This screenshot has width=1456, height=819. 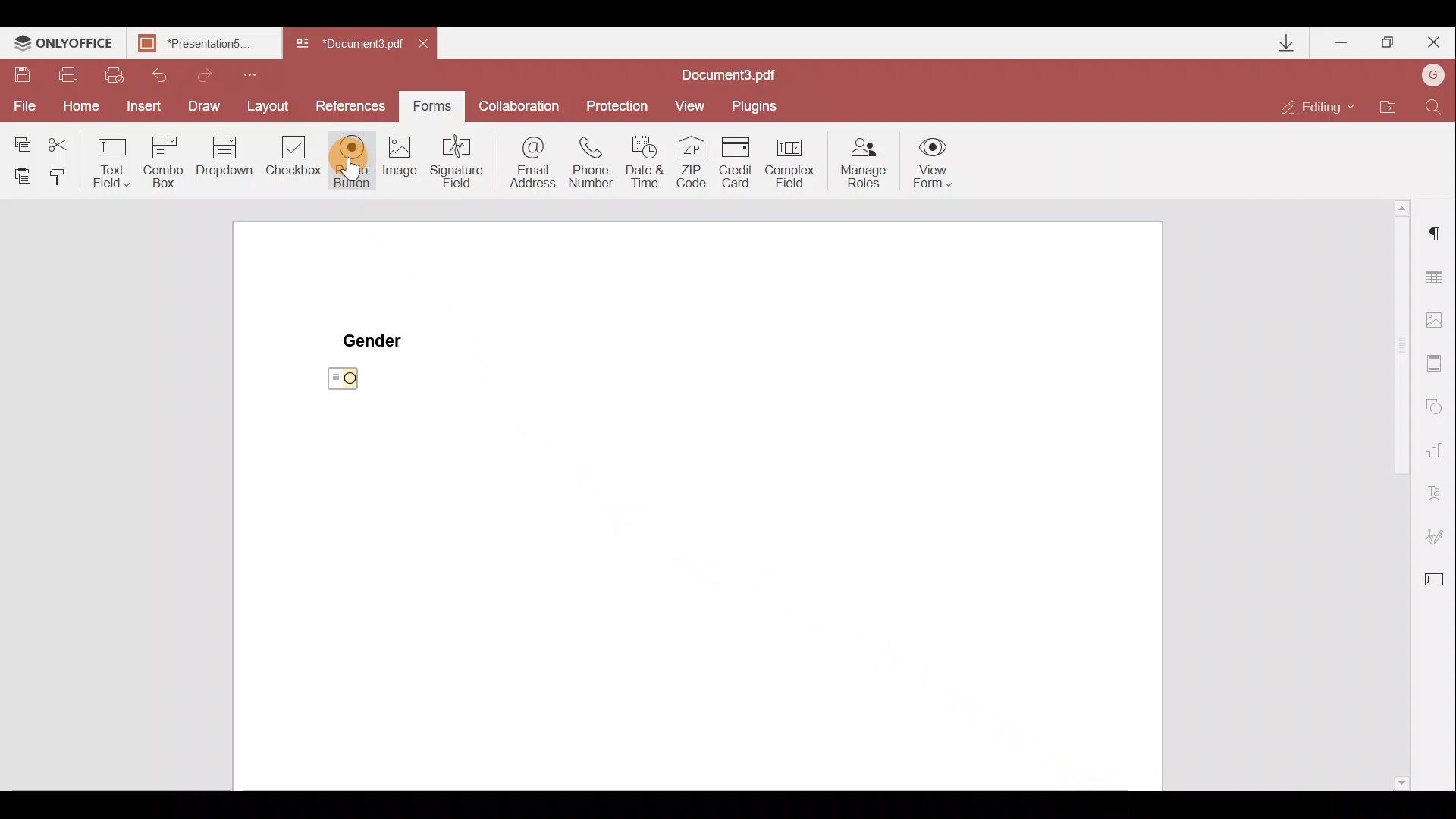 What do you see at coordinates (650, 164) in the screenshot?
I see `Date & time` at bounding box center [650, 164].